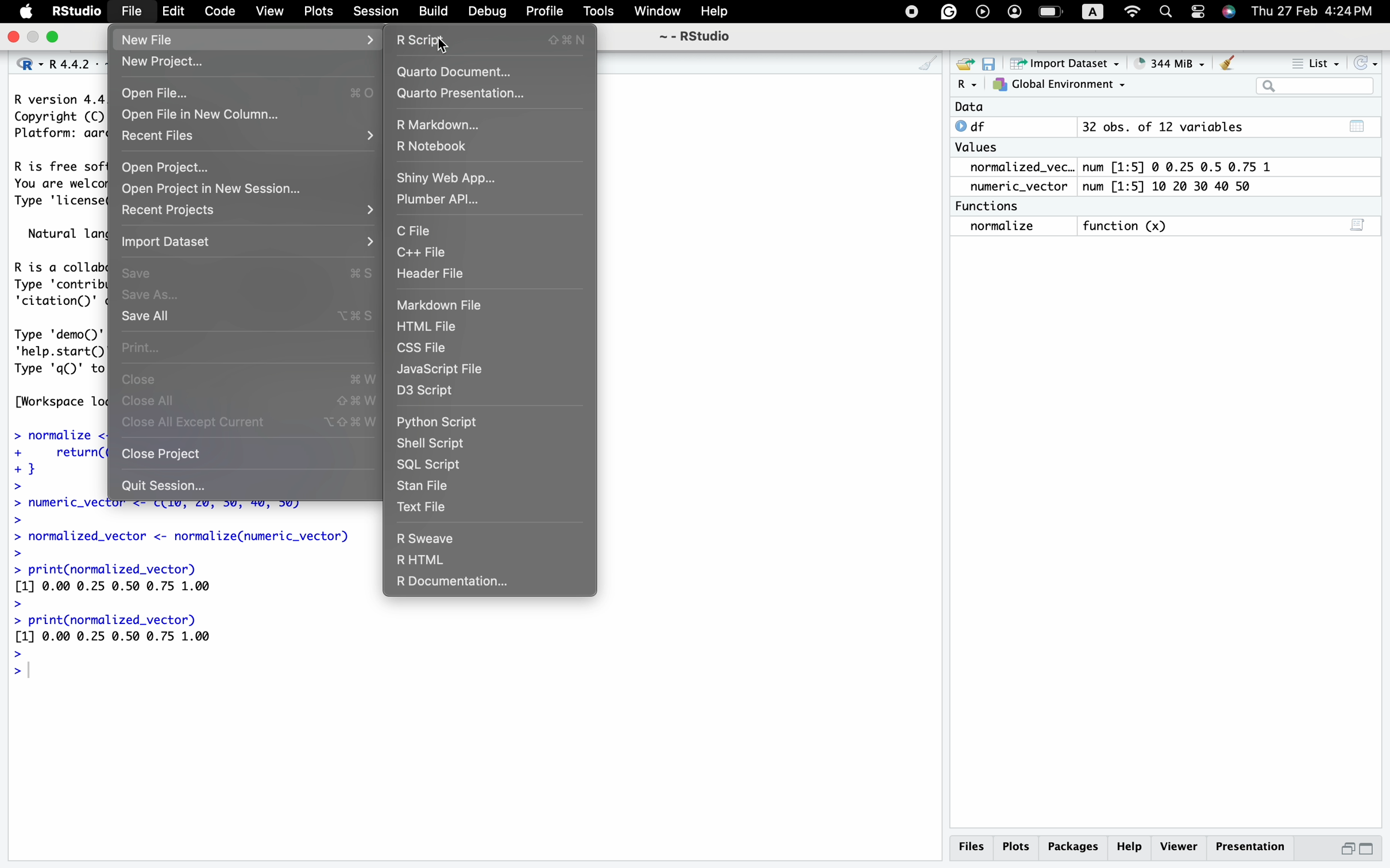  Describe the element at coordinates (422, 254) in the screenshot. I see `C++ File` at that location.